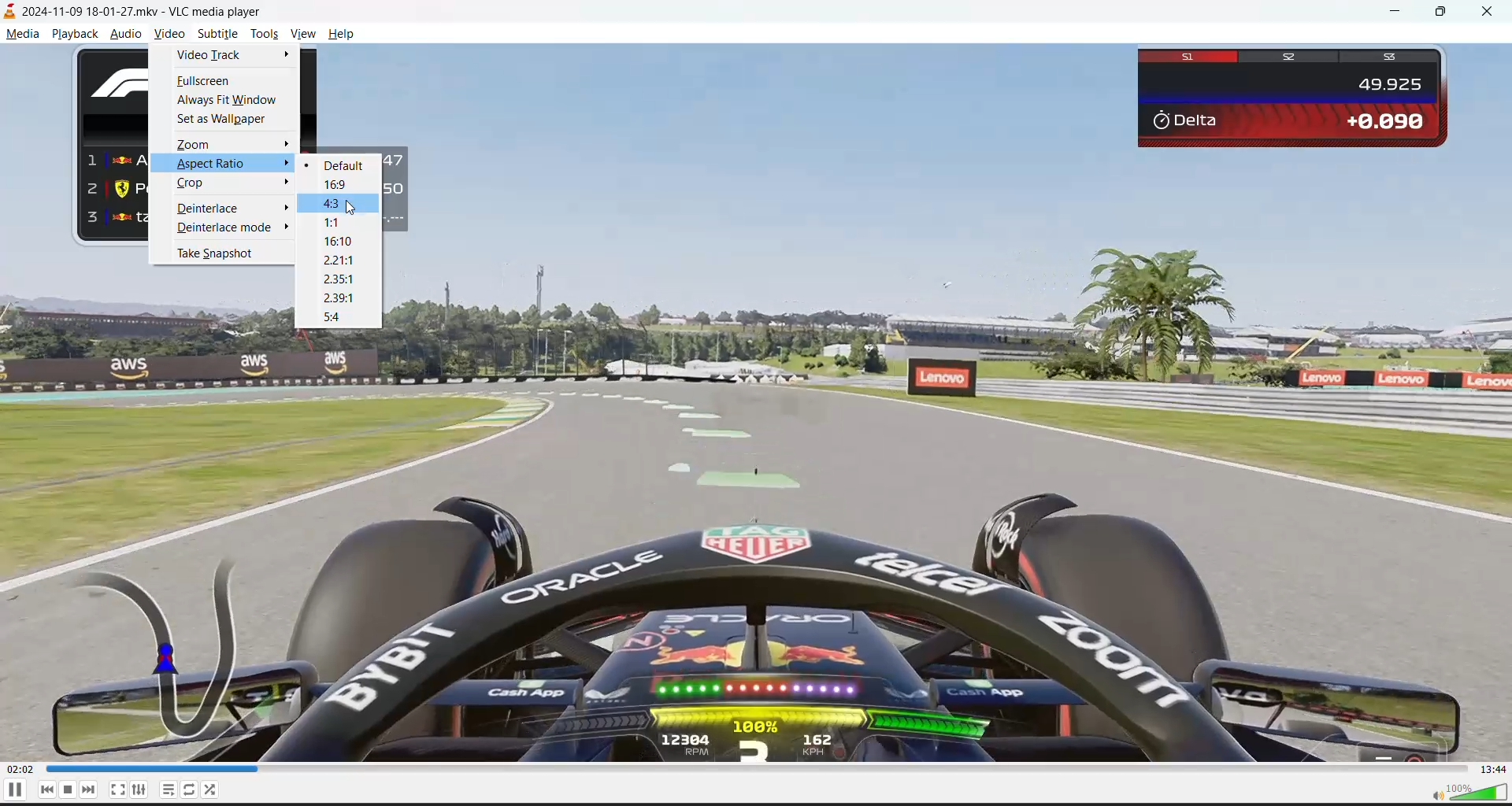 Image resolution: width=1512 pixels, height=806 pixels. Describe the element at coordinates (210, 209) in the screenshot. I see `deinterlace` at that location.